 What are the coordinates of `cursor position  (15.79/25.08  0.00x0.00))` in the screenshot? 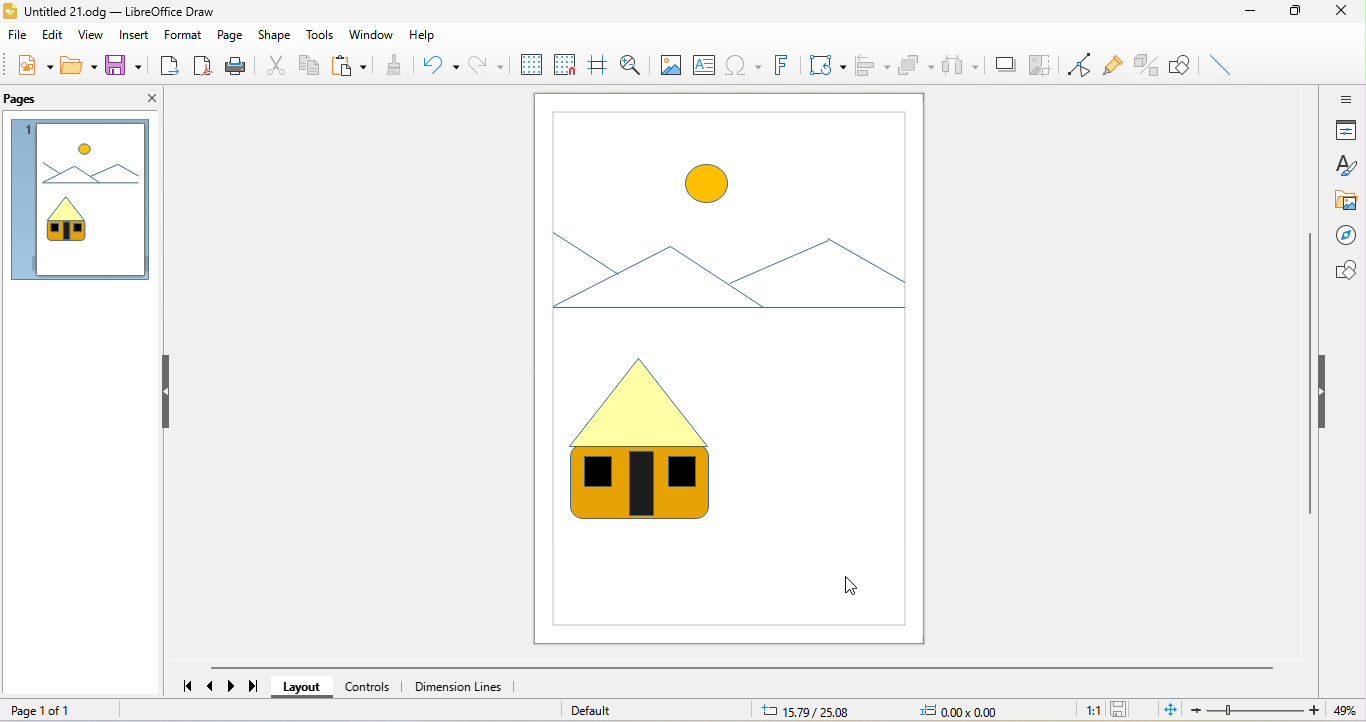 It's located at (881, 709).